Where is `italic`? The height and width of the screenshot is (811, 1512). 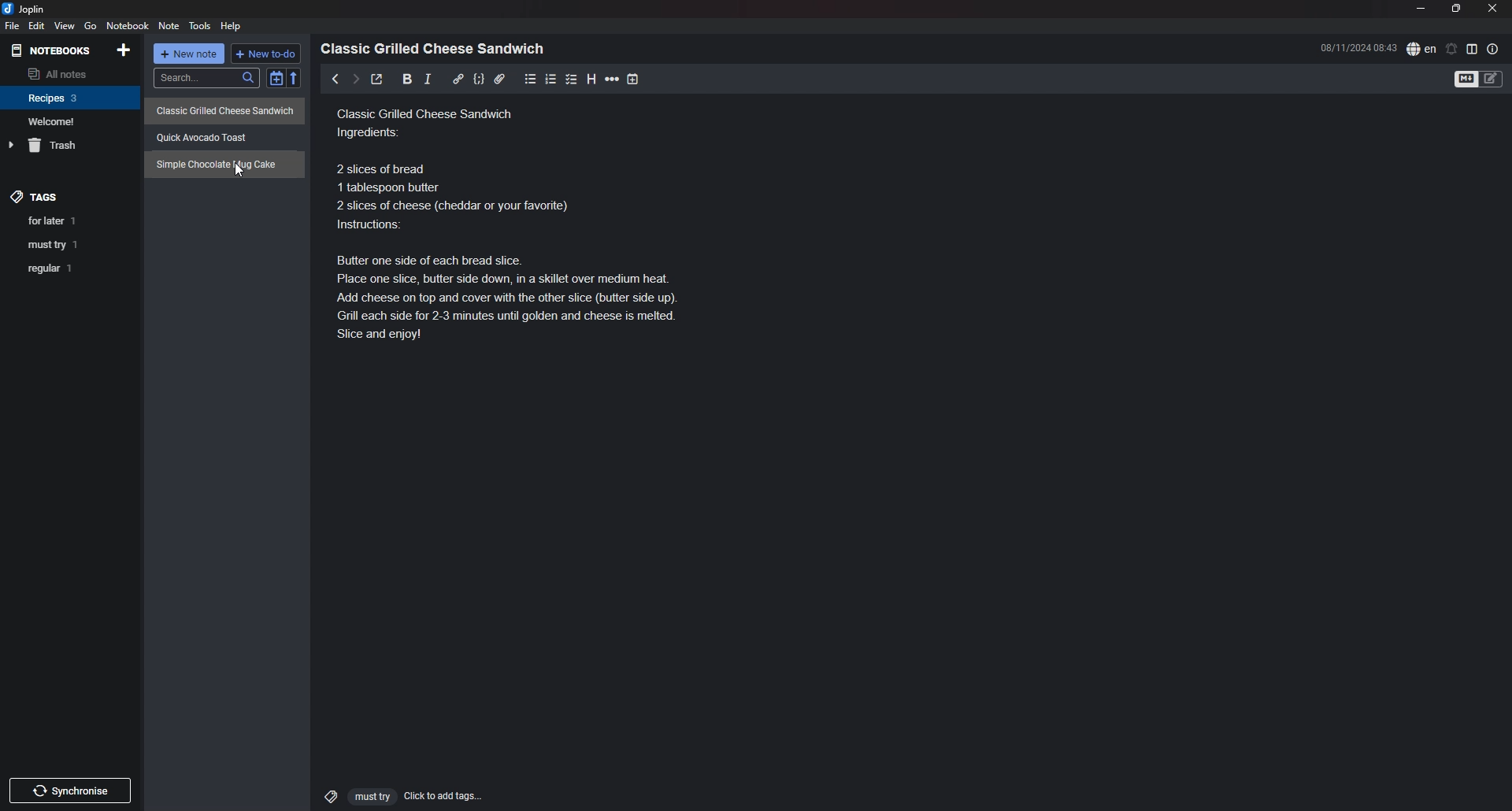 italic is located at coordinates (428, 79).